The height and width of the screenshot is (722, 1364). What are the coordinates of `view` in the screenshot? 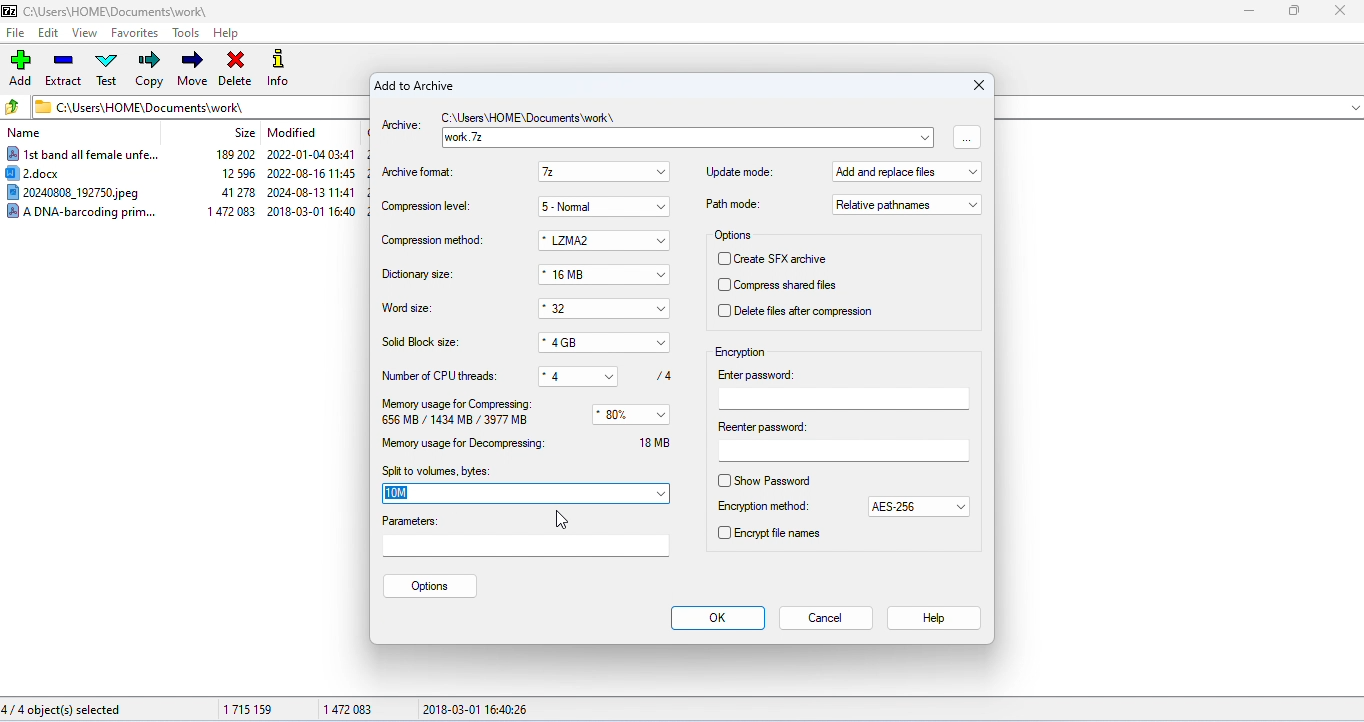 It's located at (84, 33).